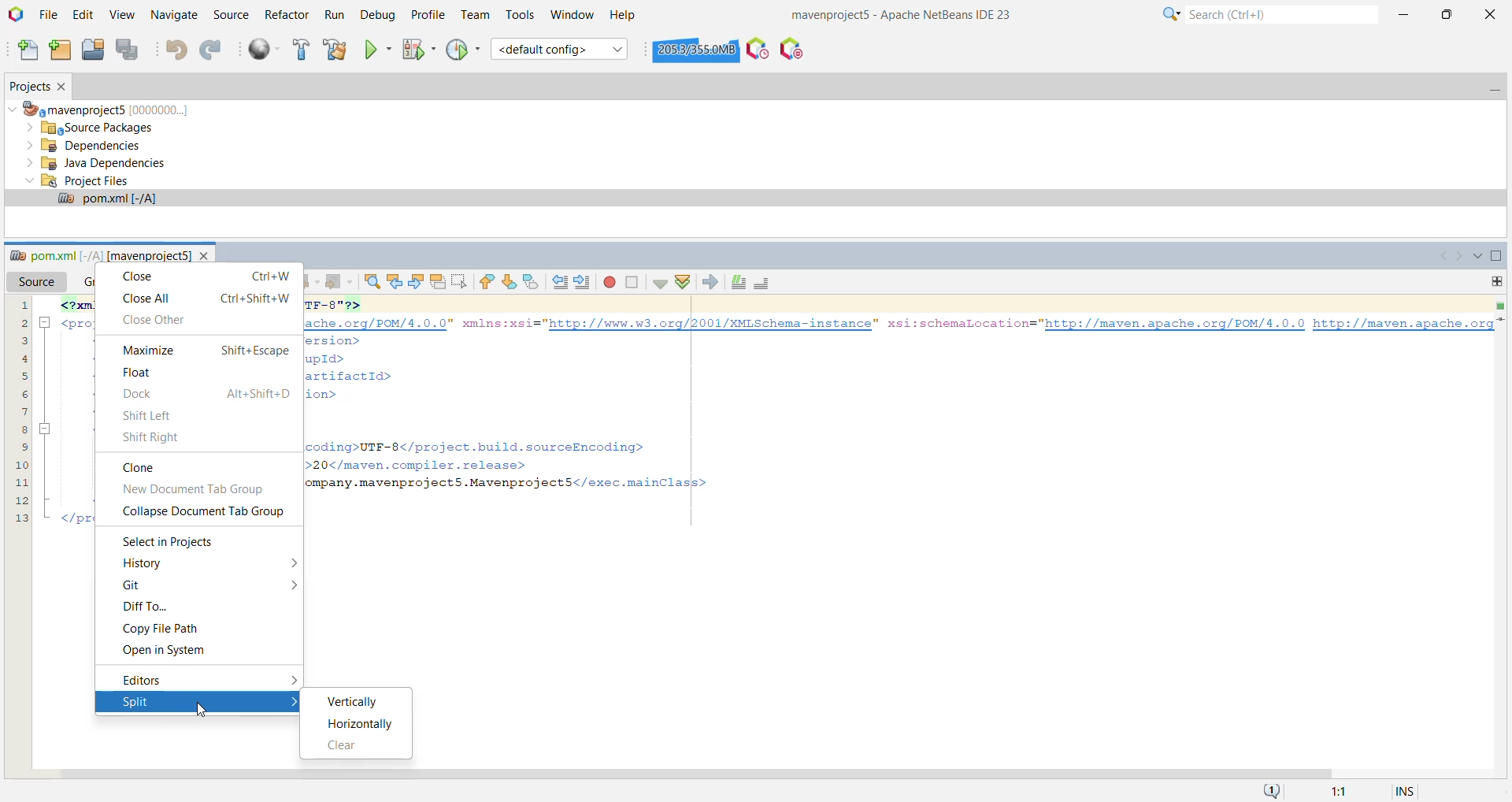  Describe the element at coordinates (1496, 281) in the screenshot. I see `Drag to split this window vertically or horizontally` at that location.